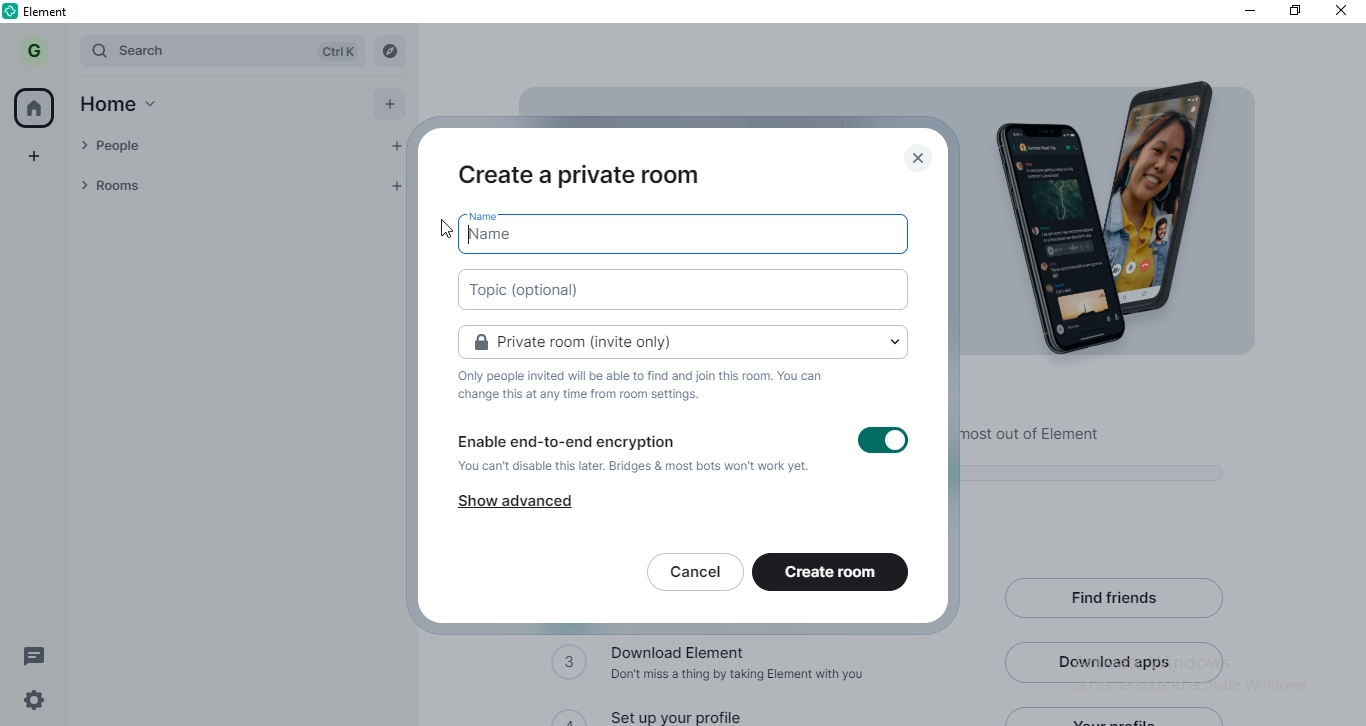 This screenshot has width=1366, height=726. I want to click on people, so click(221, 148).